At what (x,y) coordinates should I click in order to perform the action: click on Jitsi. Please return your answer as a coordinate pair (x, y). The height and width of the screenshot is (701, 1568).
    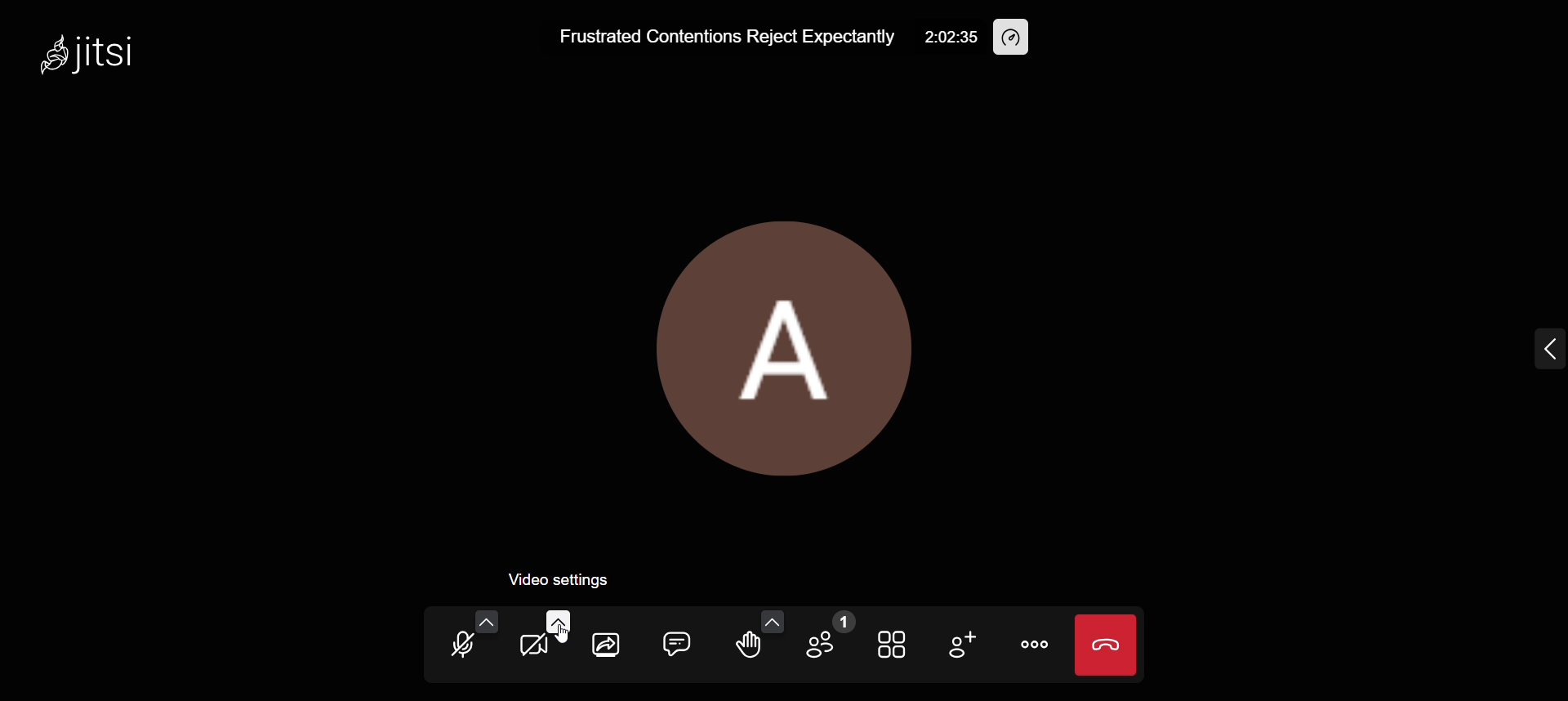
    Looking at the image, I should click on (108, 54).